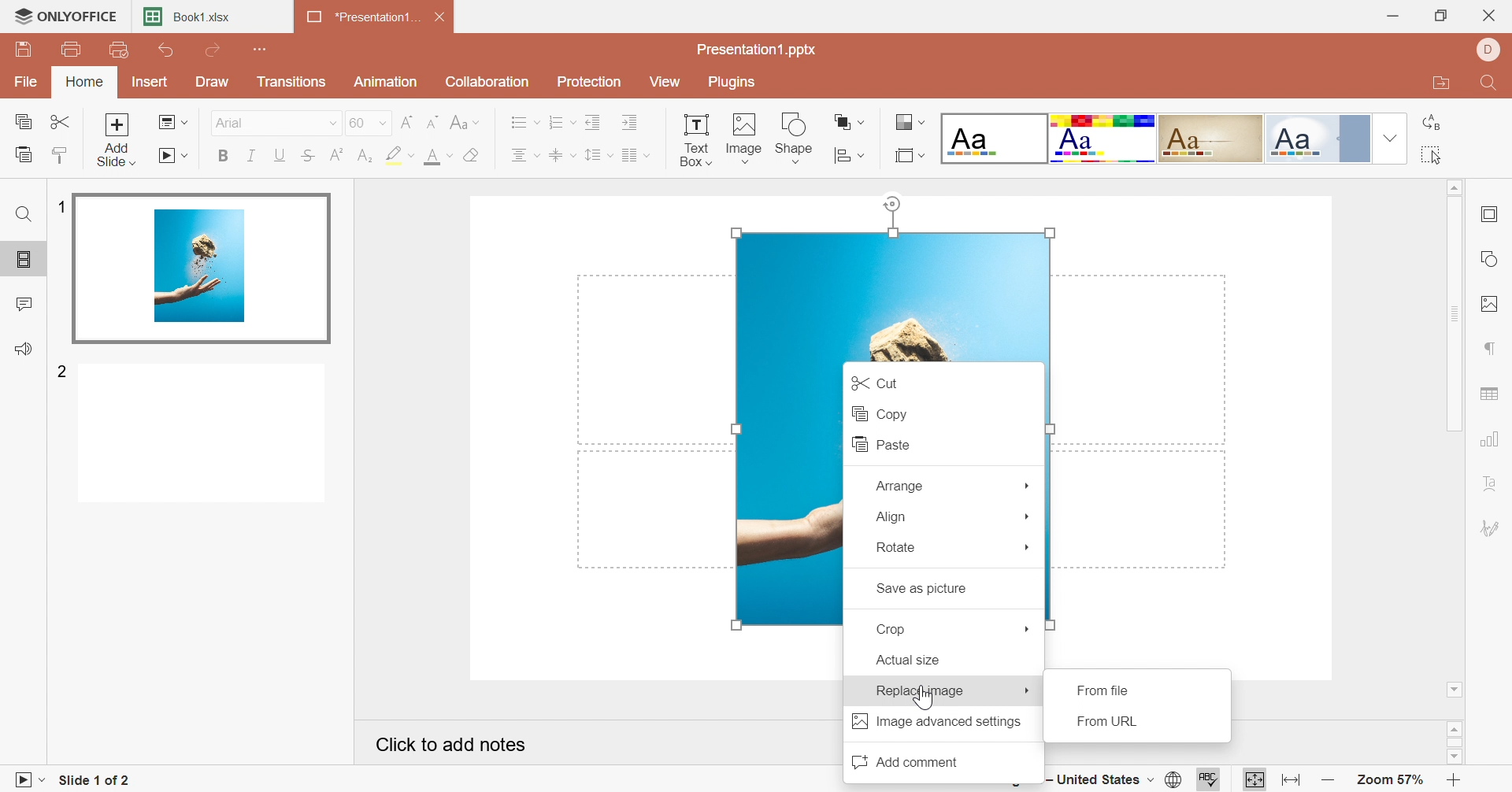 The width and height of the screenshot is (1512, 792). I want to click on image, so click(785, 494).